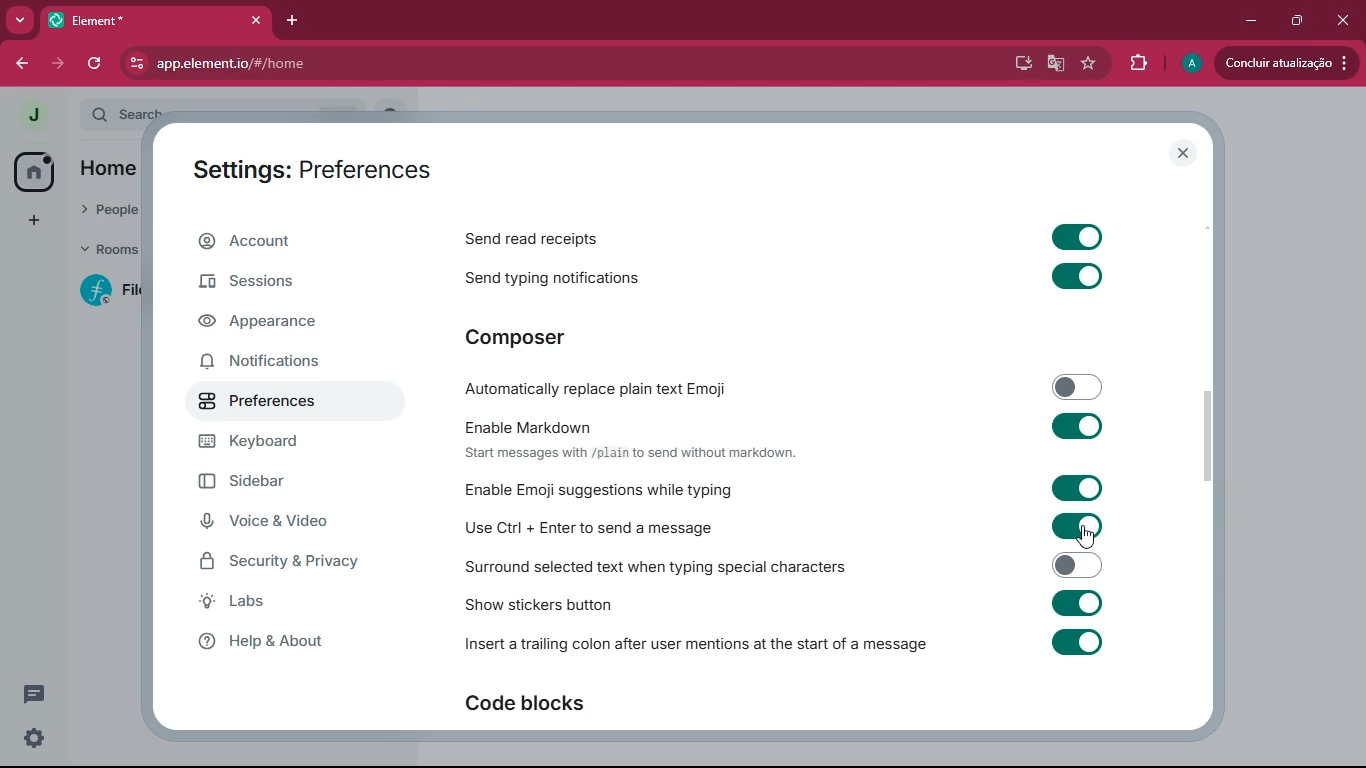 This screenshot has height=768, width=1366. What do you see at coordinates (21, 64) in the screenshot?
I see `back` at bounding box center [21, 64].